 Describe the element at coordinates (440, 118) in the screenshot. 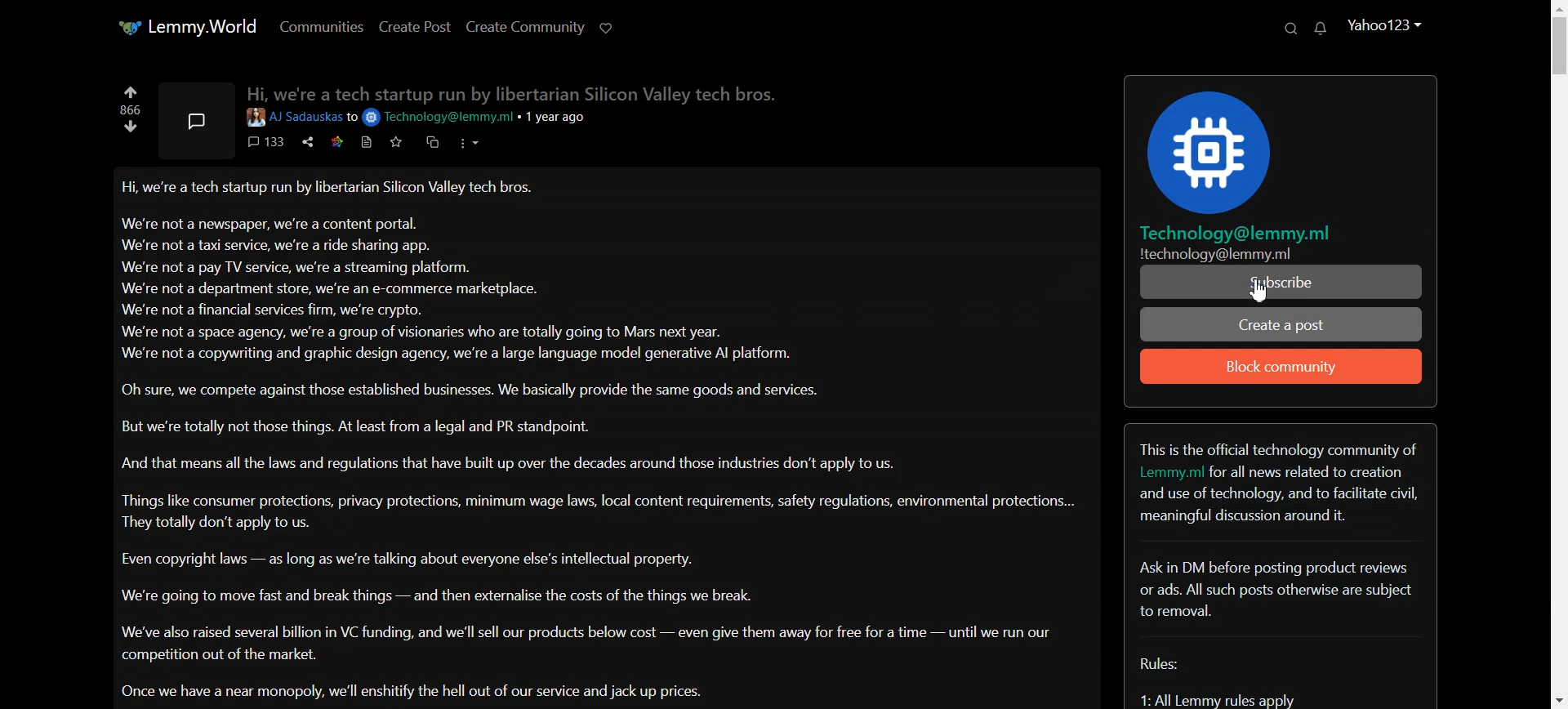

I see `Technology@lemmy.ml` at that location.